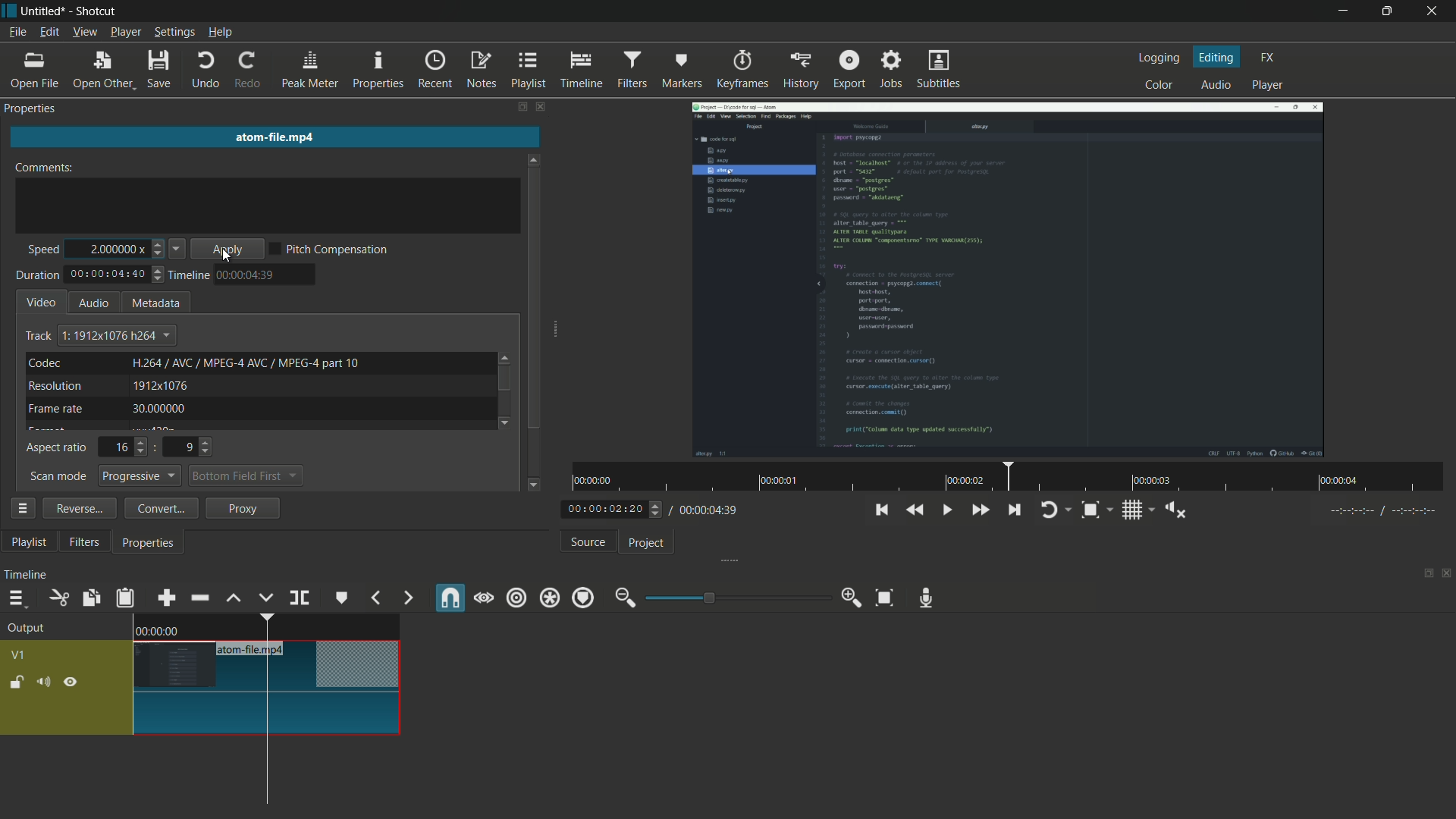 The height and width of the screenshot is (819, 1456). Describe the element at coordinates (377, 71) in the screenshot. I see `properties` at that location.